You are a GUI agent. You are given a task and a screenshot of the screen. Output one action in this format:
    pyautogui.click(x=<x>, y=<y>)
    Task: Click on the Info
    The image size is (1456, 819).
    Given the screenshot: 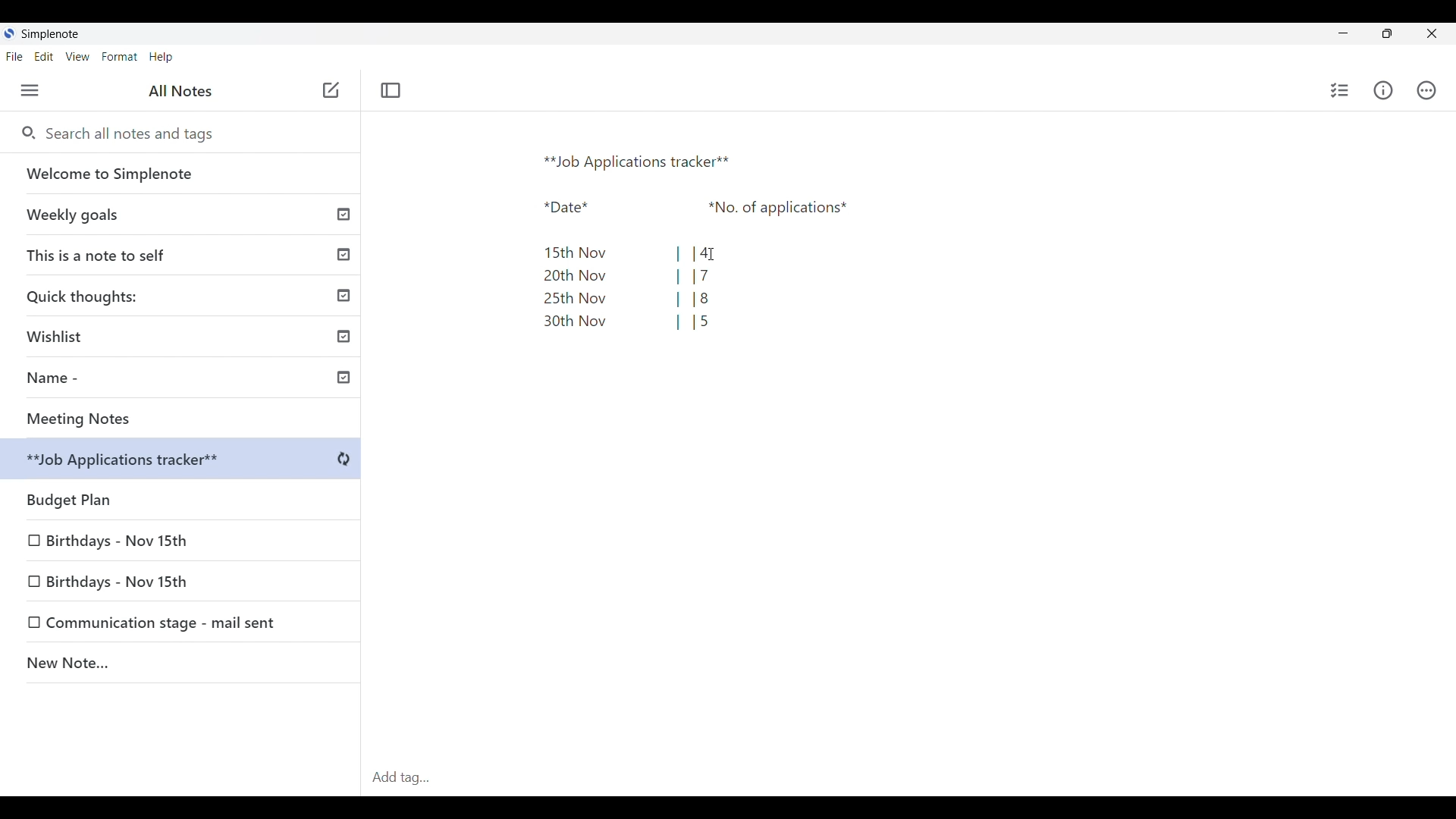 What is the action you would take?
    pyautogui.click(x=1384, y=90)
    